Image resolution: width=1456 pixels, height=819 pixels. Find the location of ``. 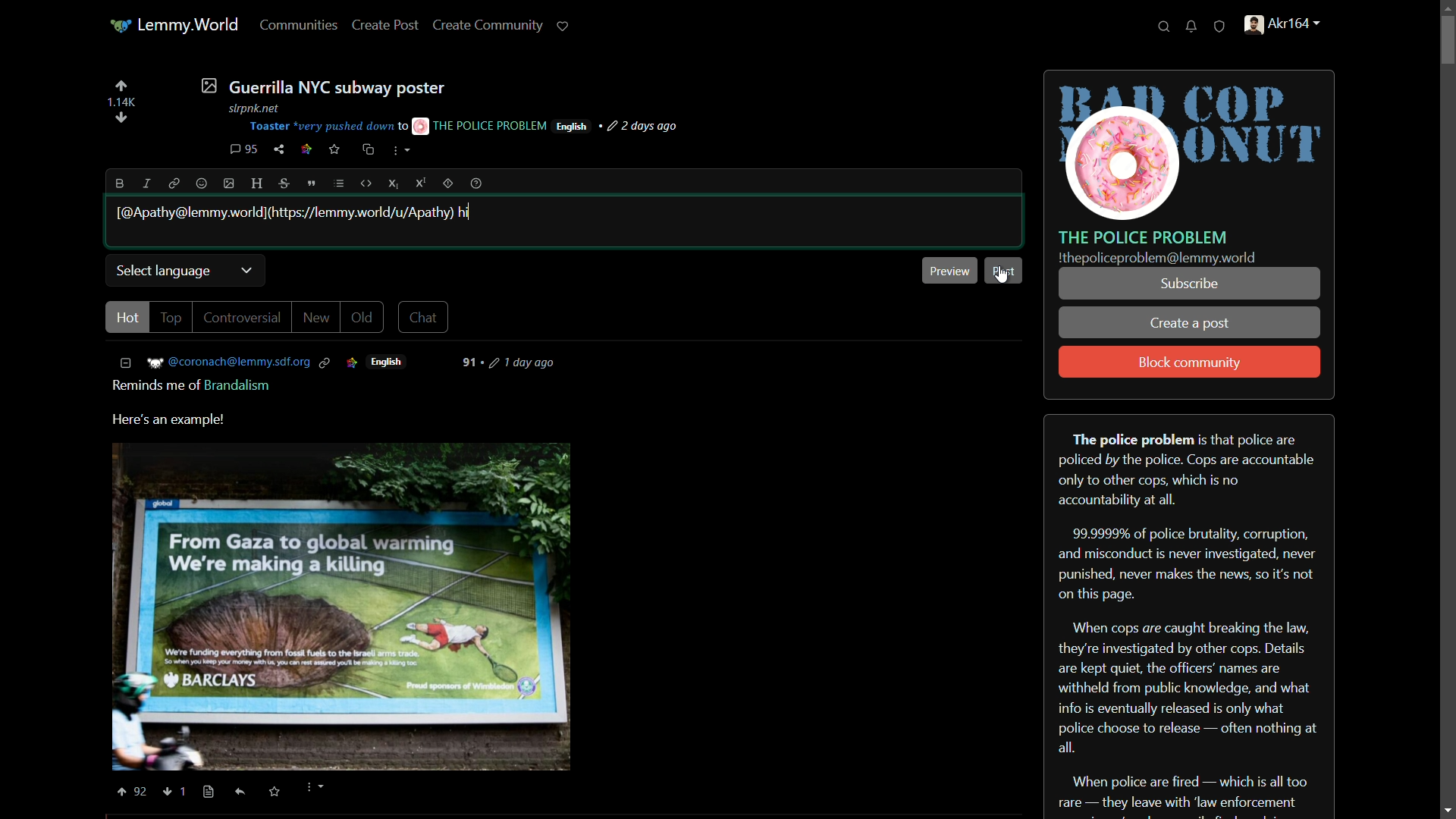

 is located at coordinates (189, 789).